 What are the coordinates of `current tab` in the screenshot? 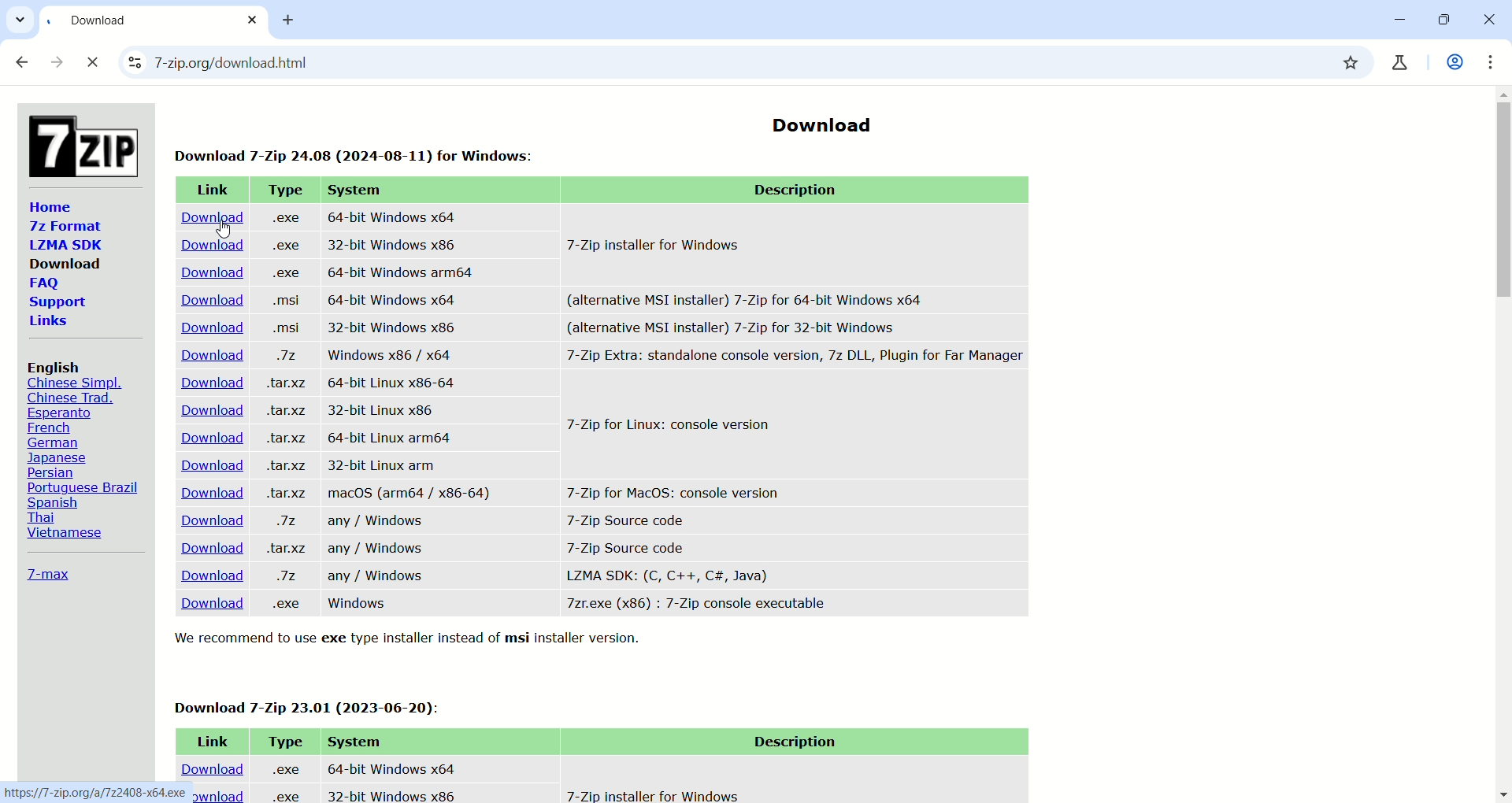 It's located at (134, 24).